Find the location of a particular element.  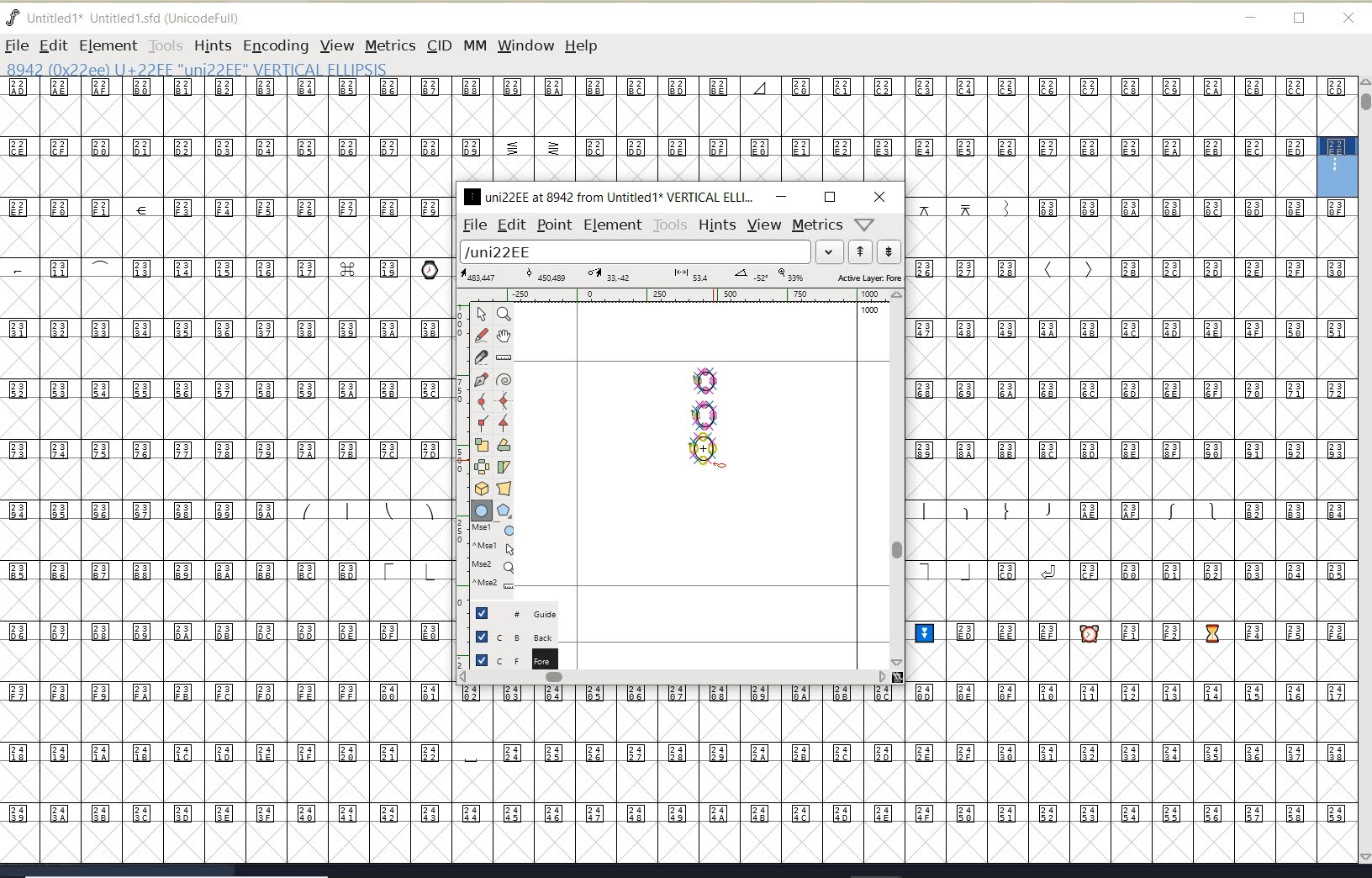

restore is located at coordinates (1300, 19).